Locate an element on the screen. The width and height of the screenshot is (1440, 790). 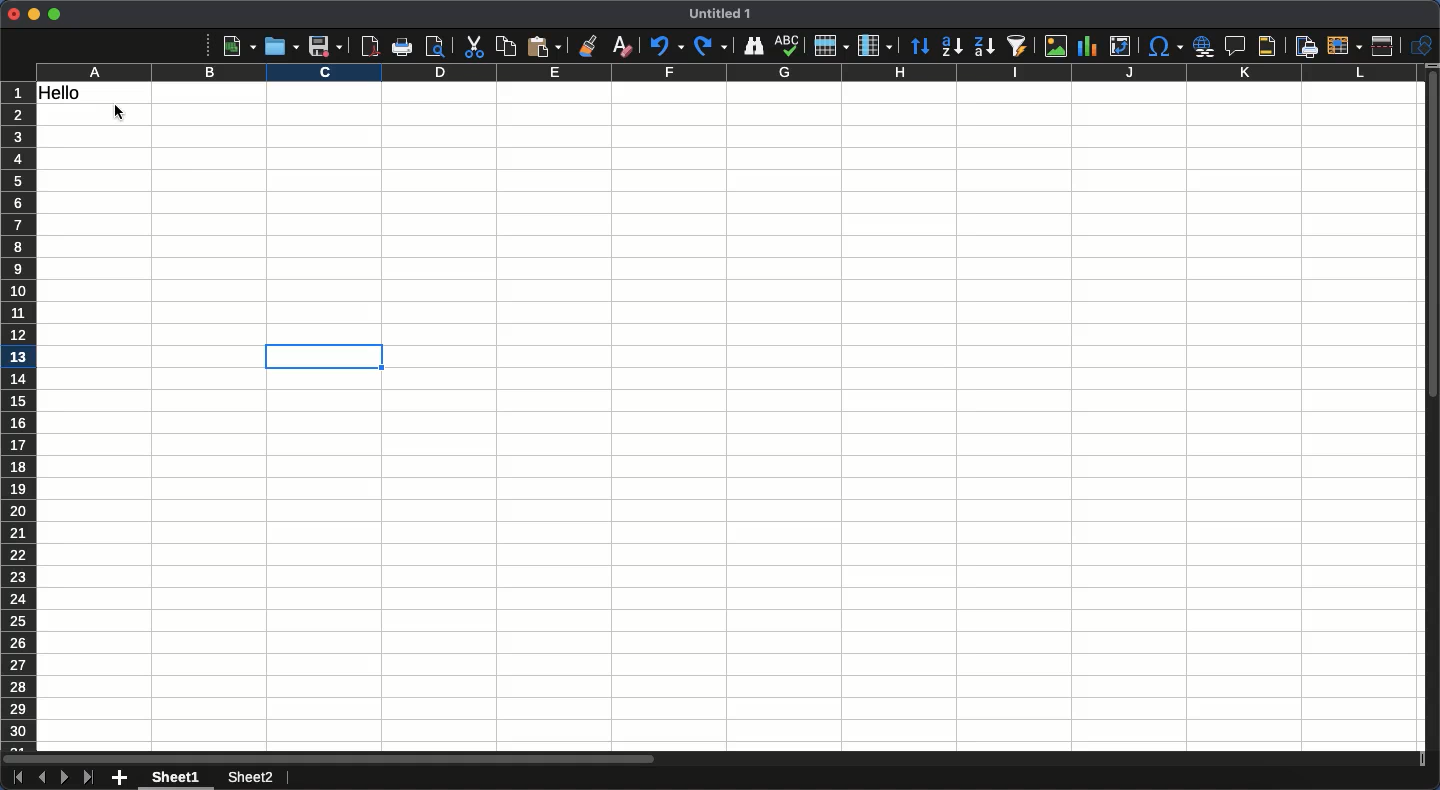
Columns is located at coordinates (729, 73).